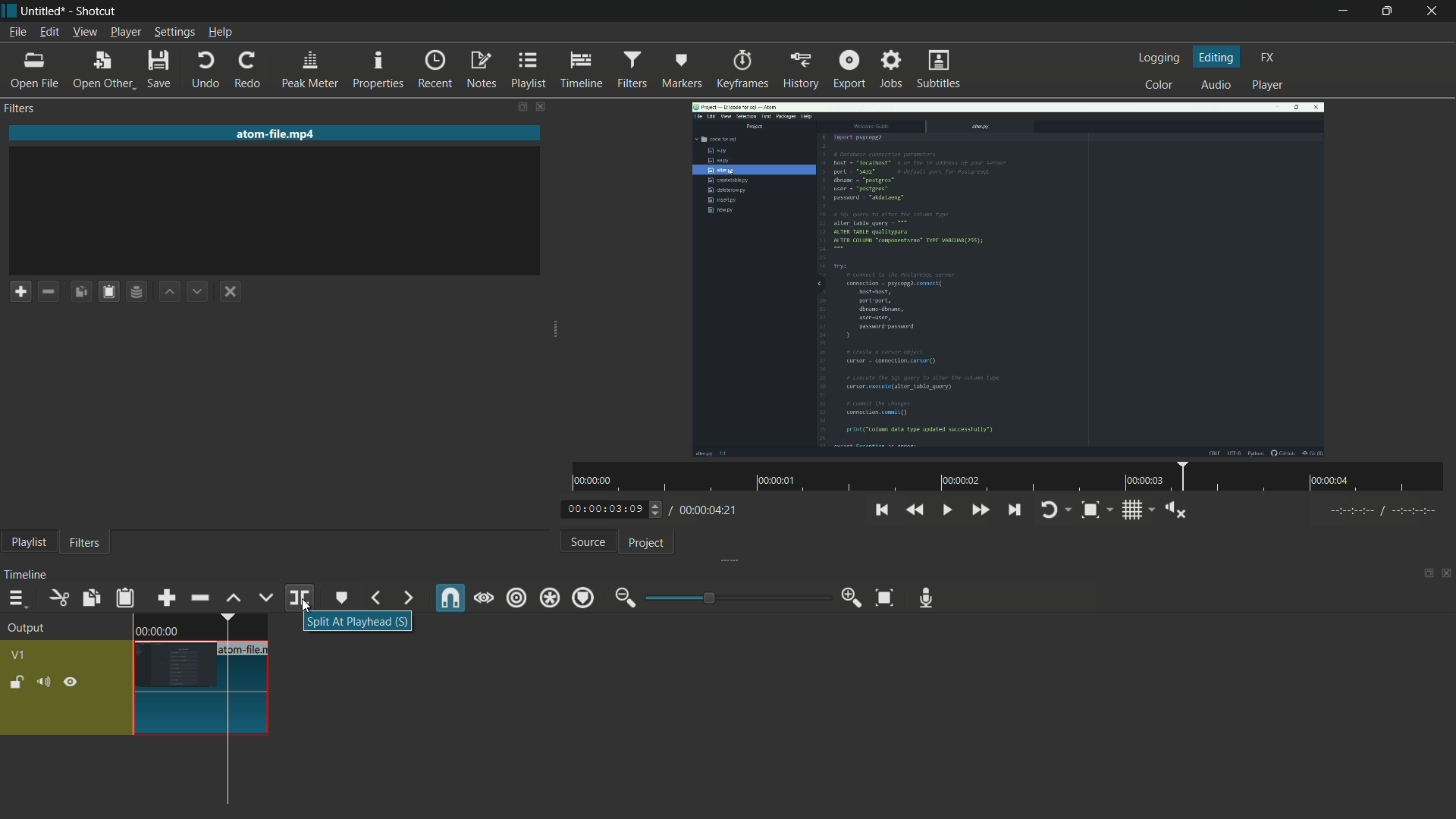 The width and height of the screenshot is (1456, 819). Describe the element at coordinates (529, 71) in the screenshot. I see `playlist` at that location.